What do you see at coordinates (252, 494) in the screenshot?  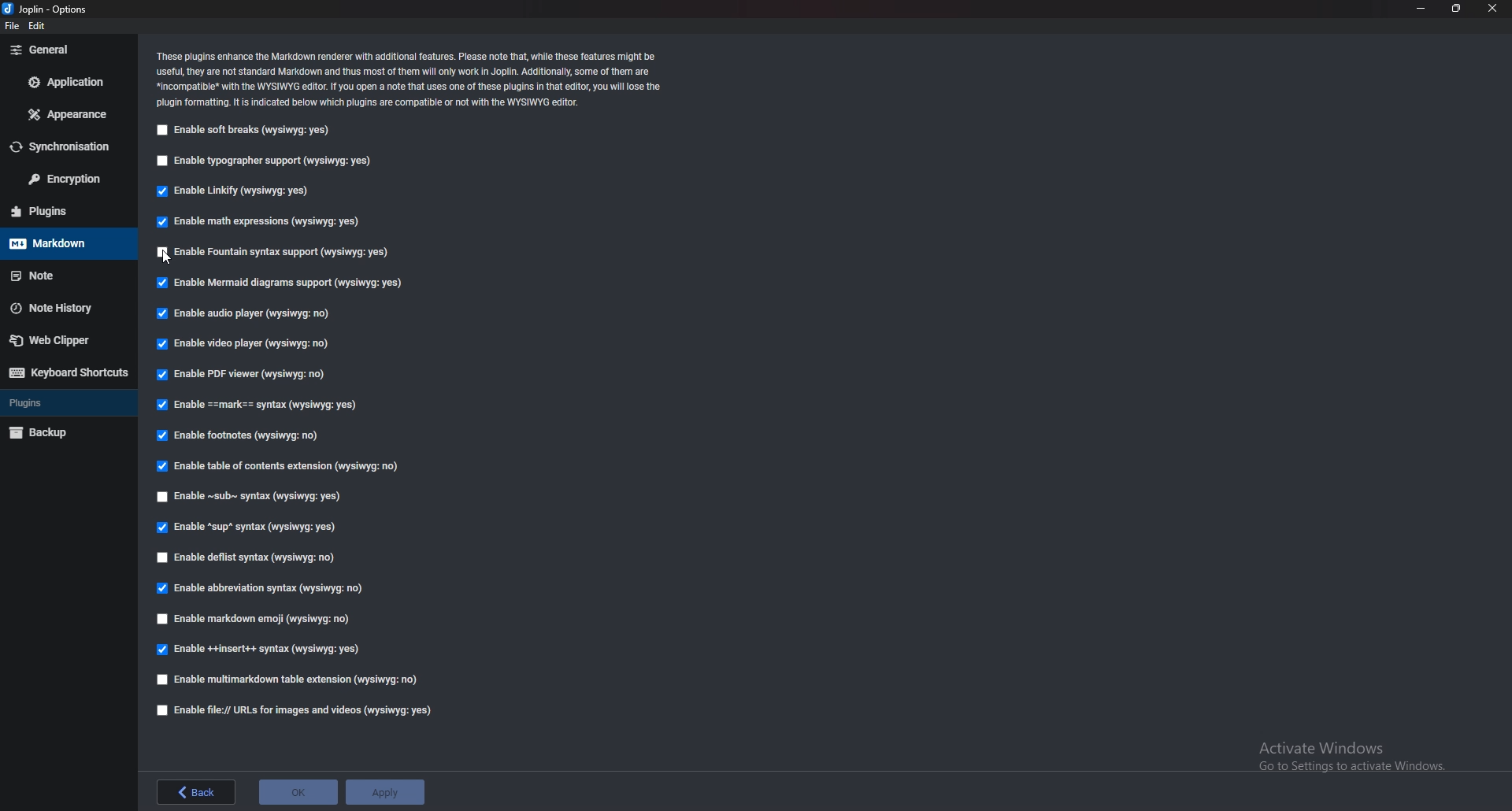 I see `Enable sub syntax` at bounding box center [252, 494].